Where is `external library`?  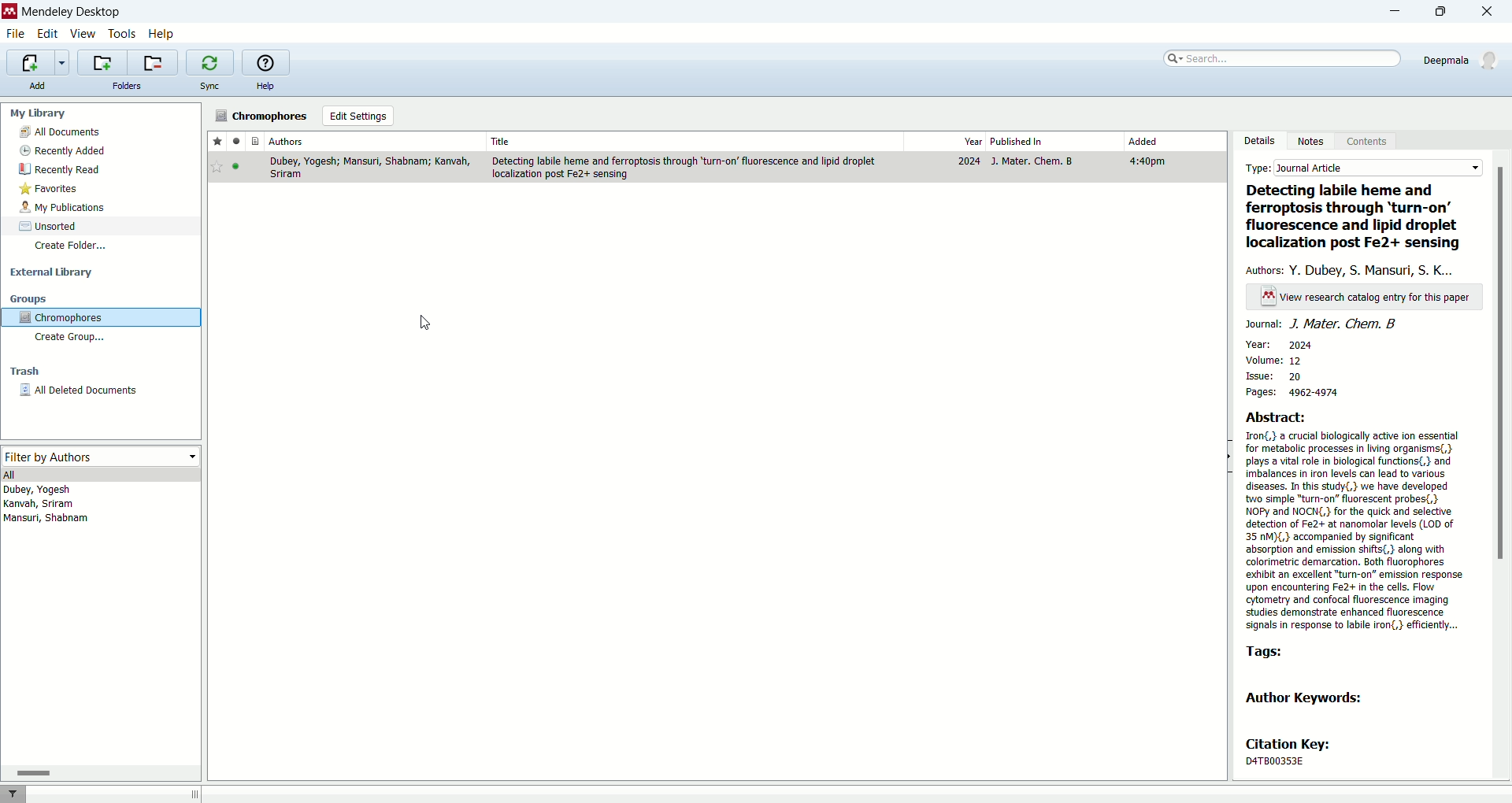
external library is located at coordinates (54, 273).